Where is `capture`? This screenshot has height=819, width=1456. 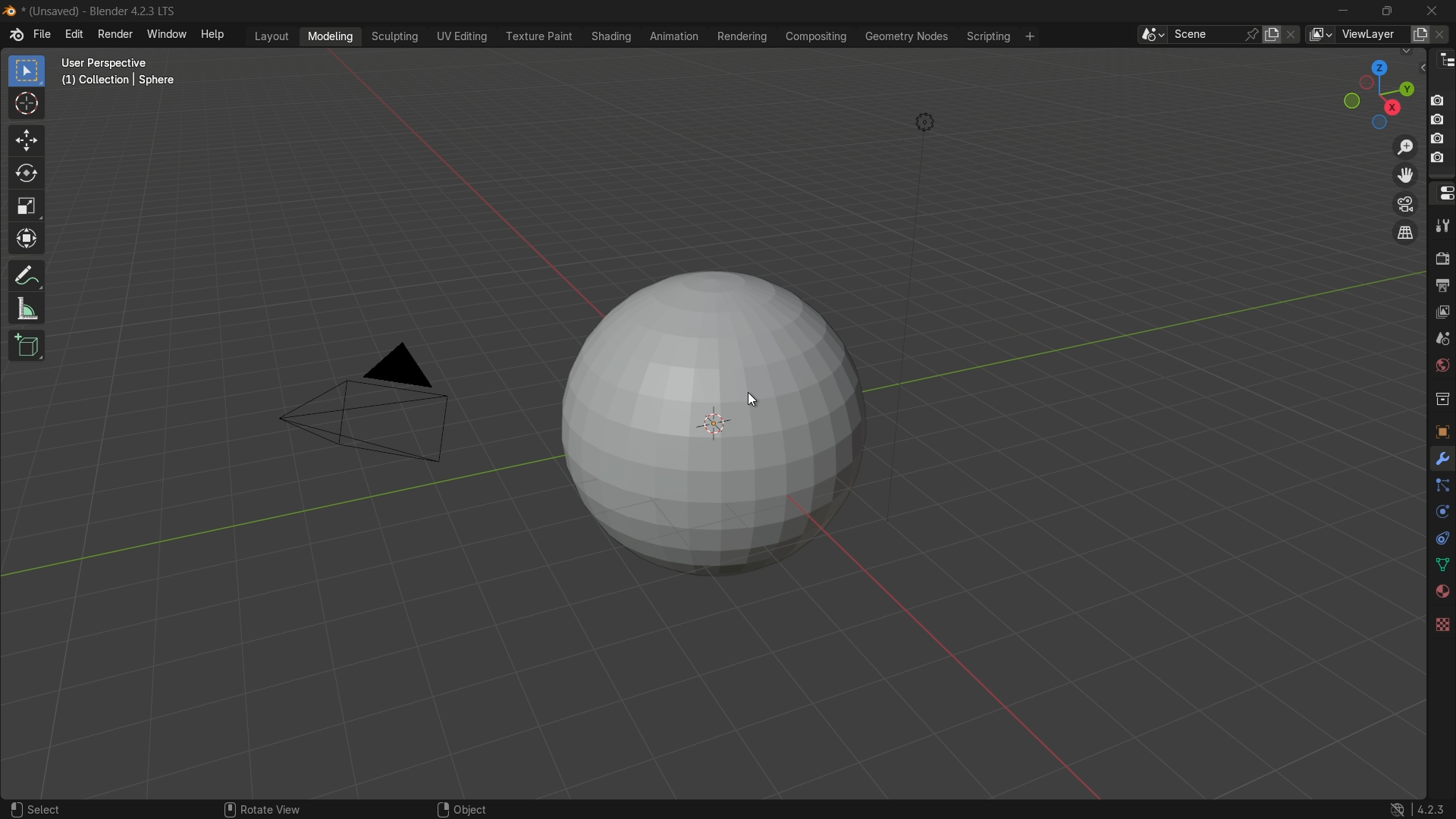
capture is located at coordinates (1441, 121).